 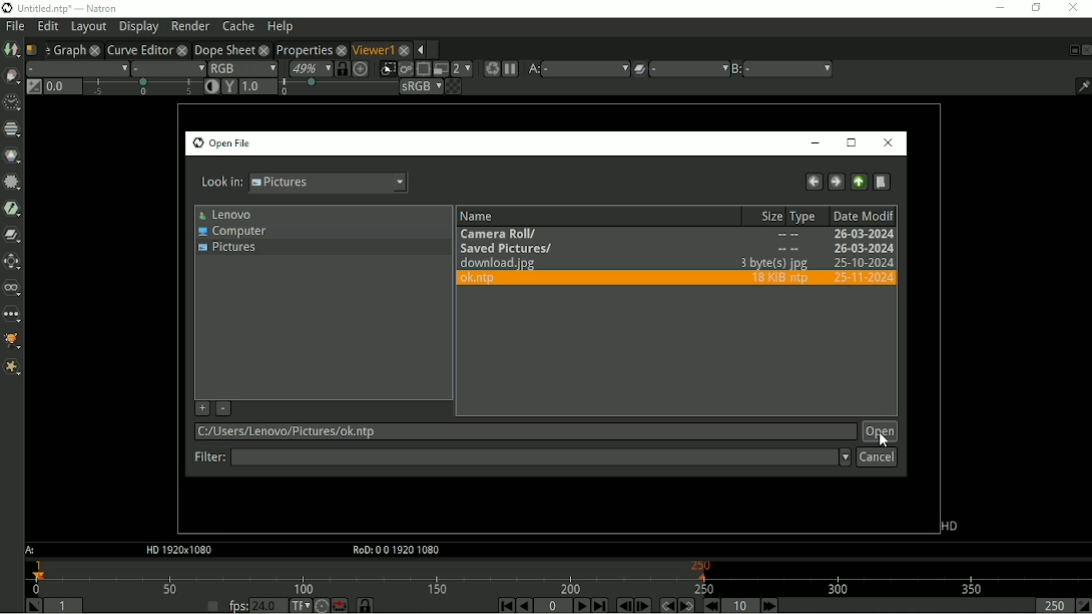 What do you see at coordinates (242, 67) in the screenshot?
I see `Display Channels` at bounding box center [242, 67].